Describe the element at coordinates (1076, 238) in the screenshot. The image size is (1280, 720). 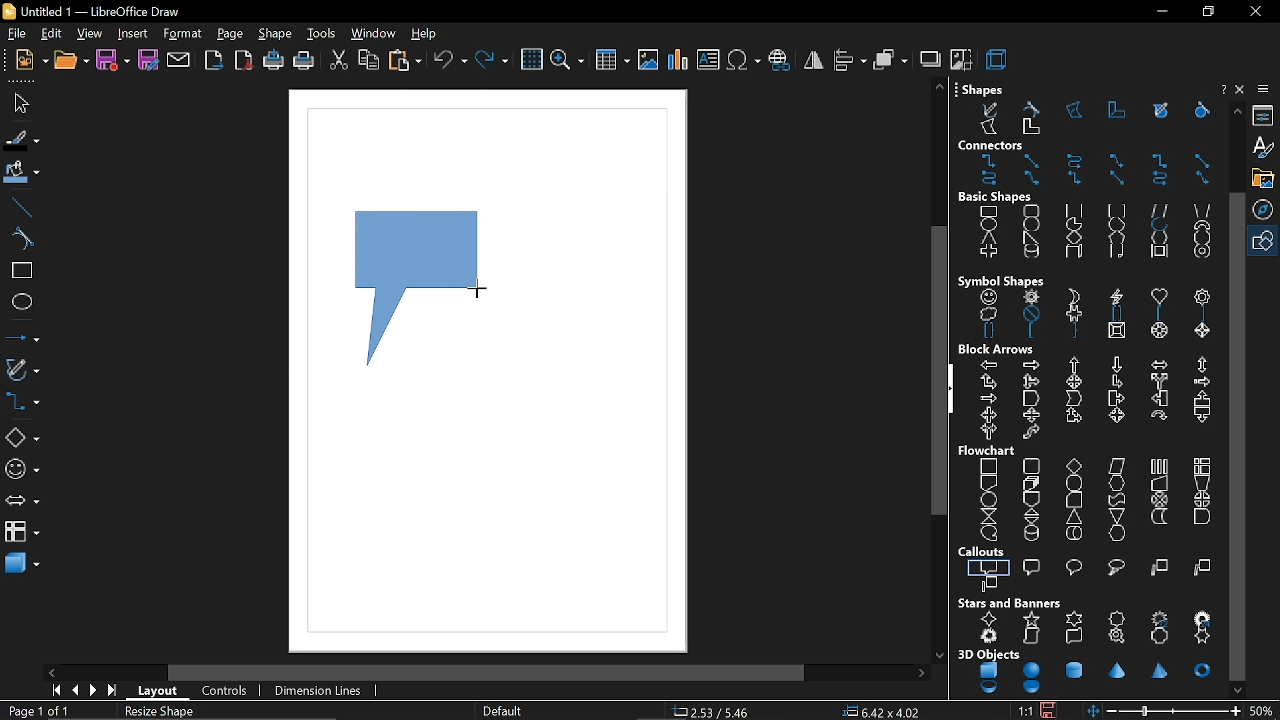
I see `diamond` at that location.